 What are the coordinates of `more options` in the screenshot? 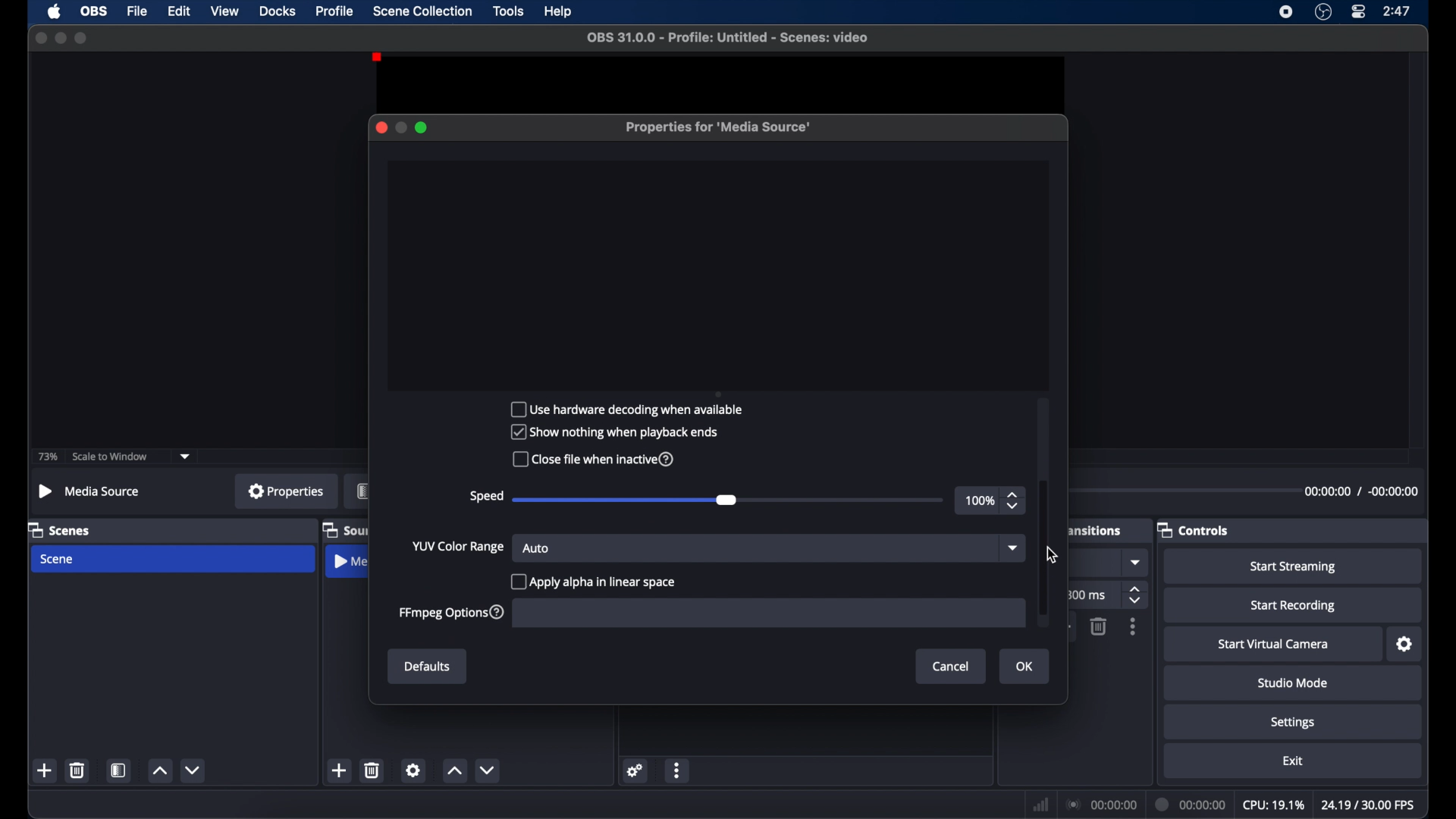 It's located at (1133, 626).